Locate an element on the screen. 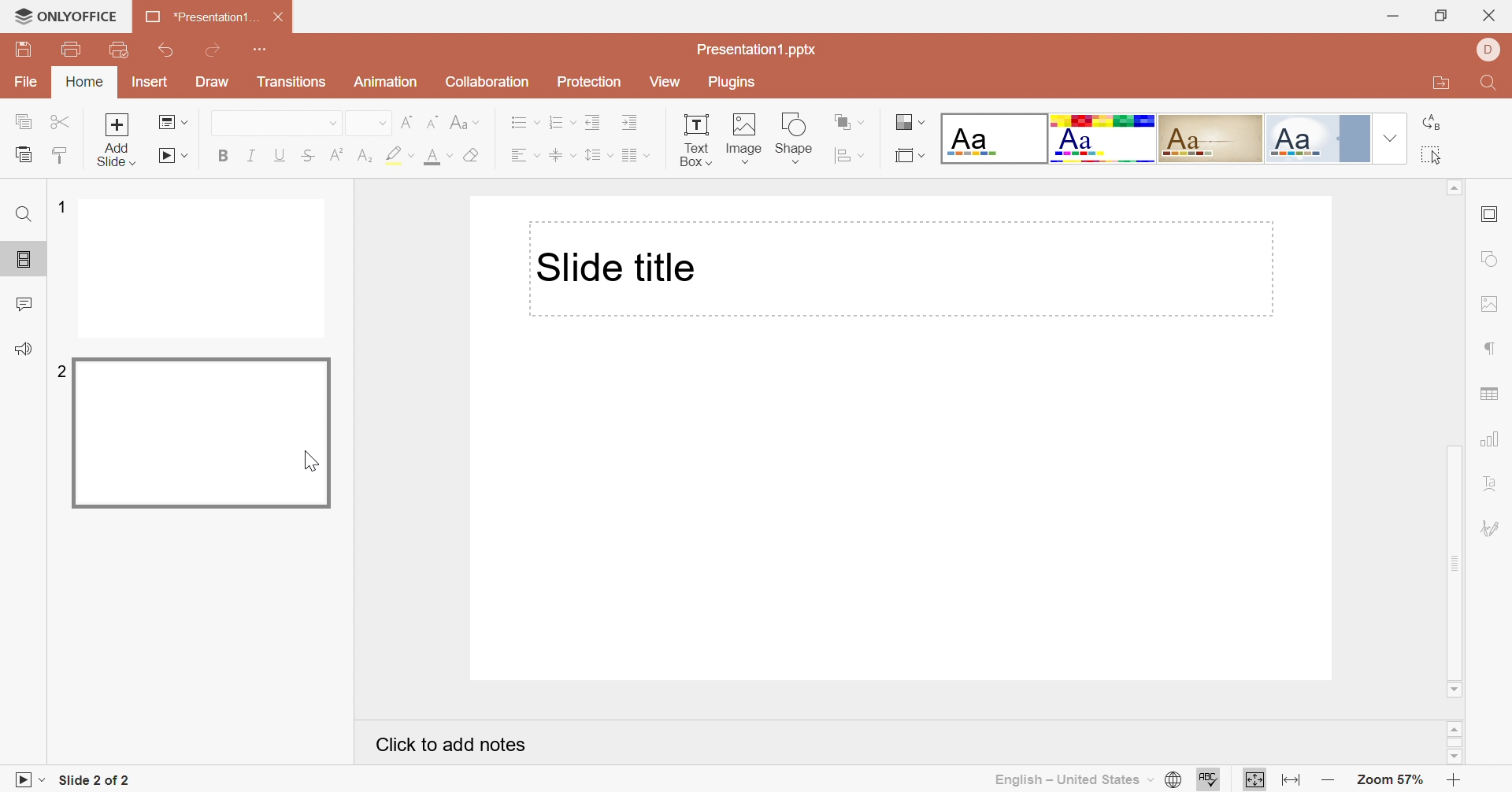  Comments is located at coordinates (26, 303).